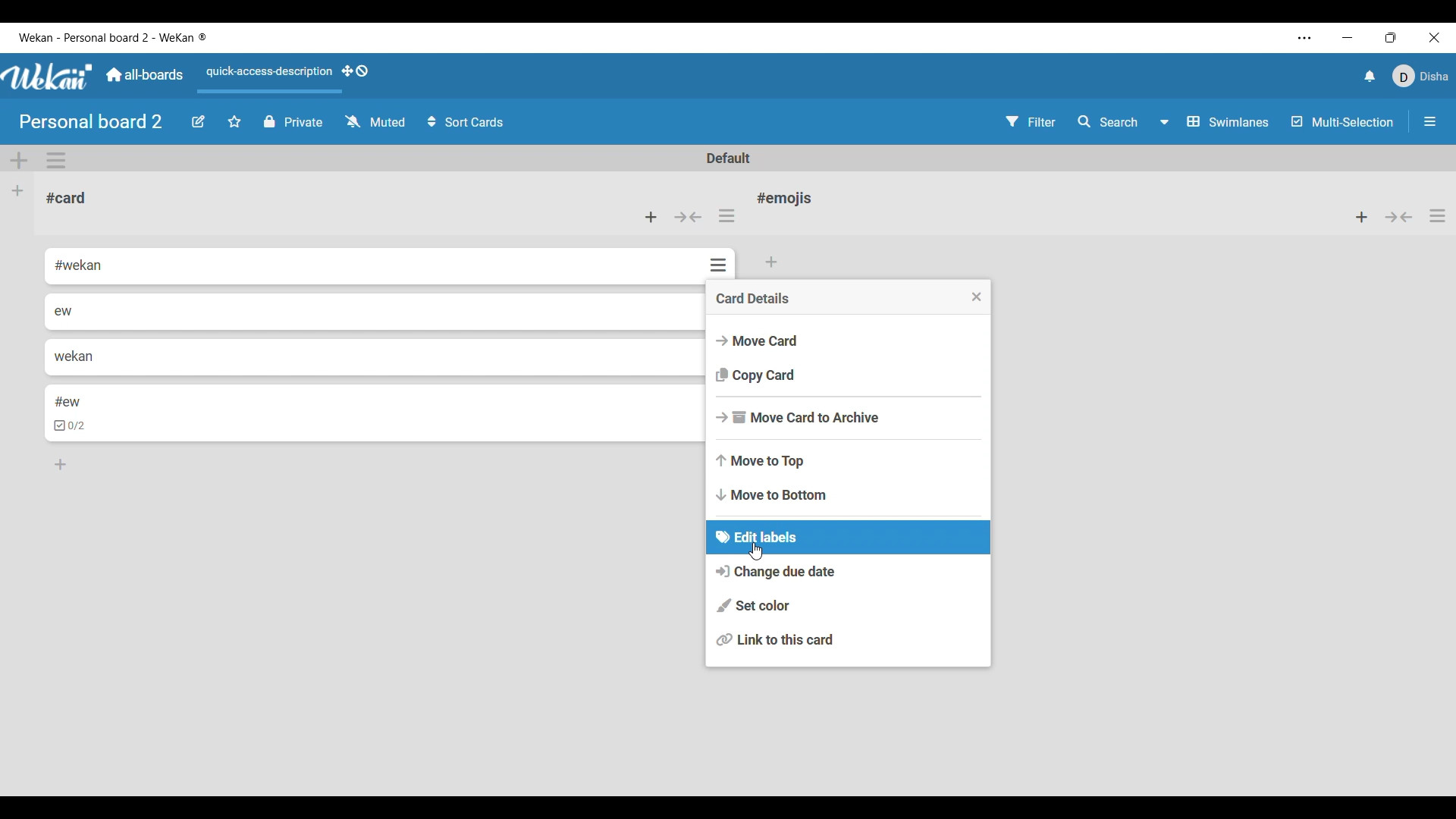 The width and height of the screenshot is (1456, 819). I want to click on Sort card options, so click(466, 121).